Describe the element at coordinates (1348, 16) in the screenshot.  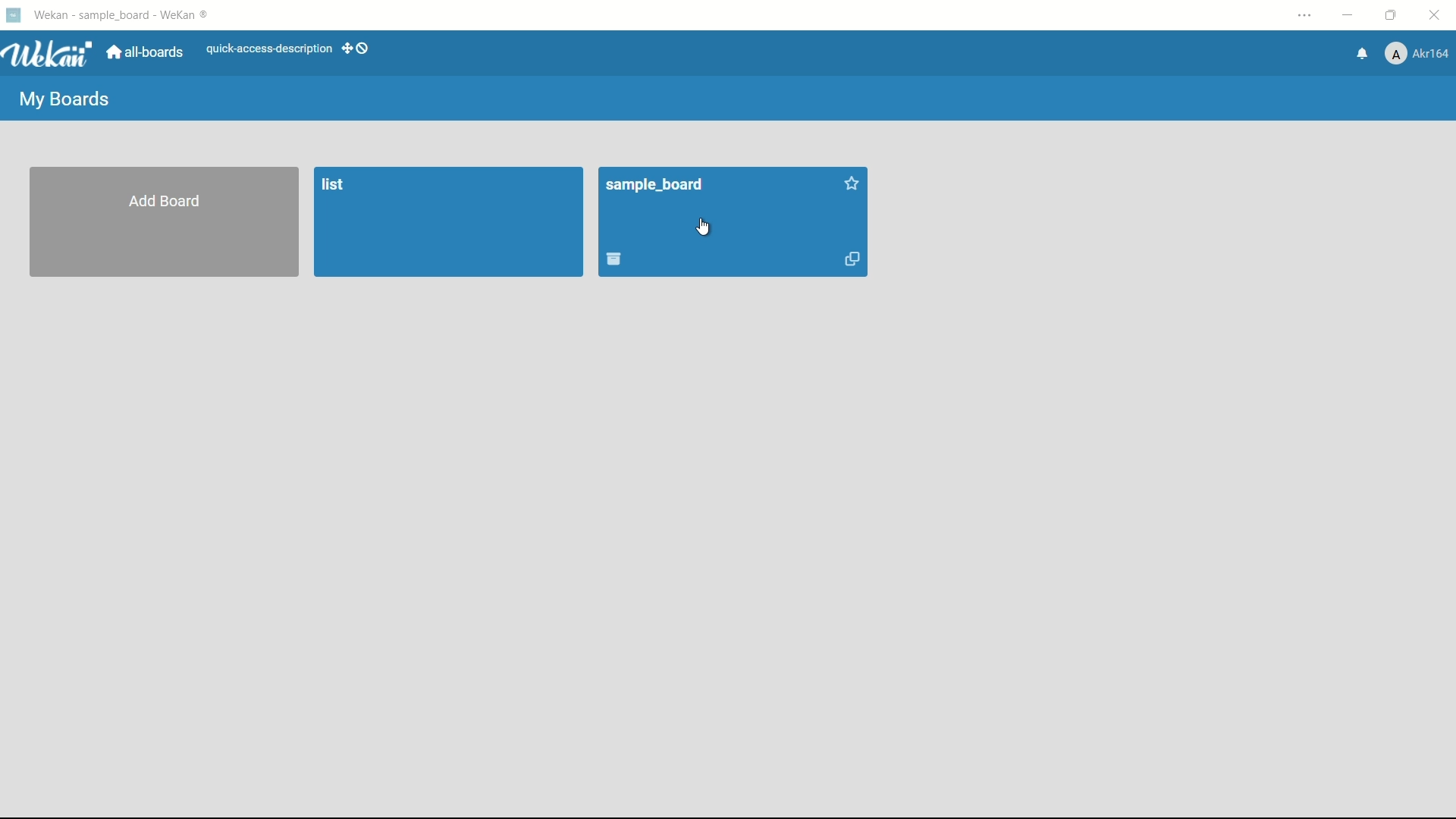
I see `minimize` at that location.